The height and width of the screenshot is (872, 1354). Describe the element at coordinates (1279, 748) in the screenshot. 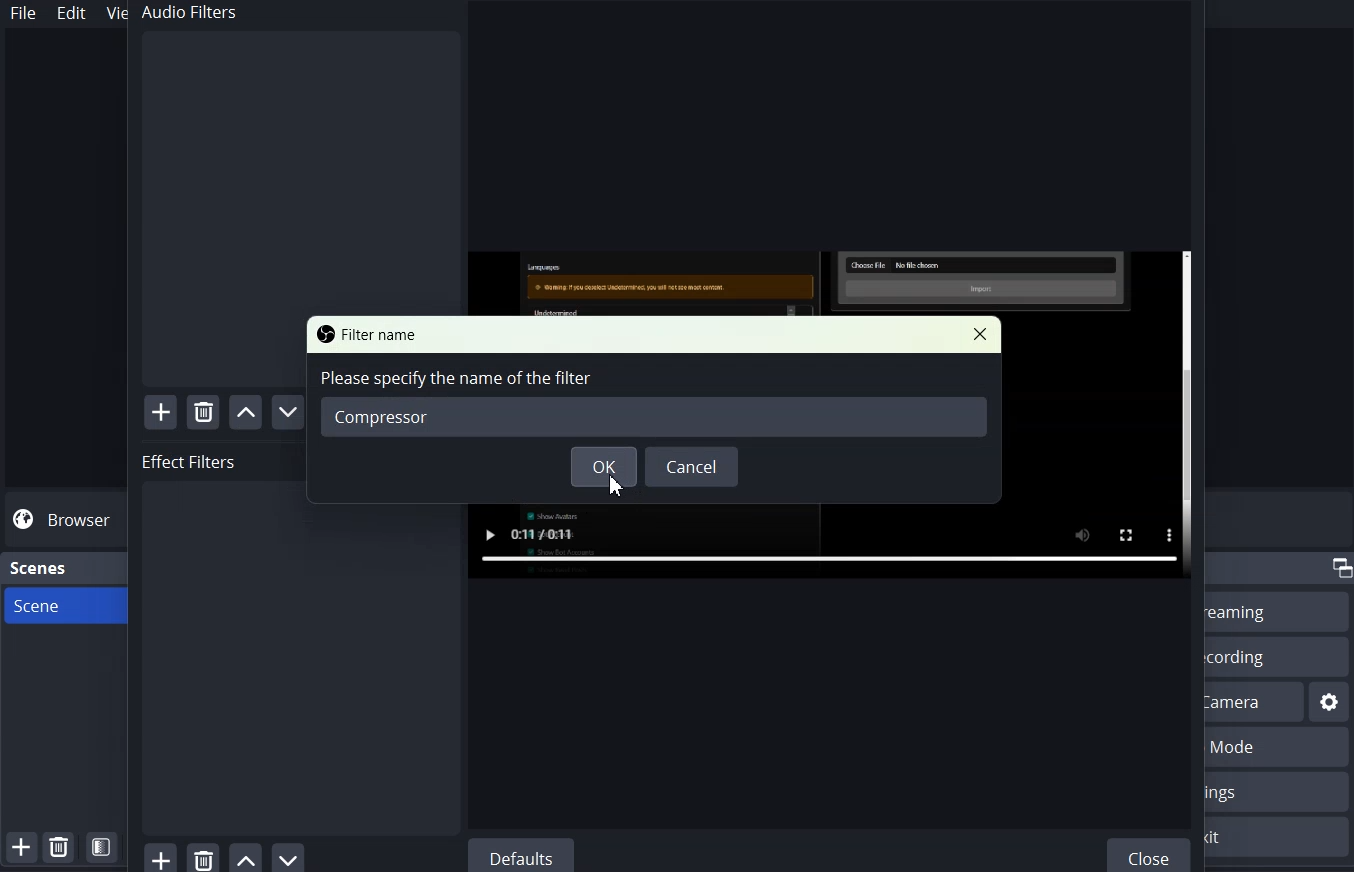

I see `Studio Mode` at that location.